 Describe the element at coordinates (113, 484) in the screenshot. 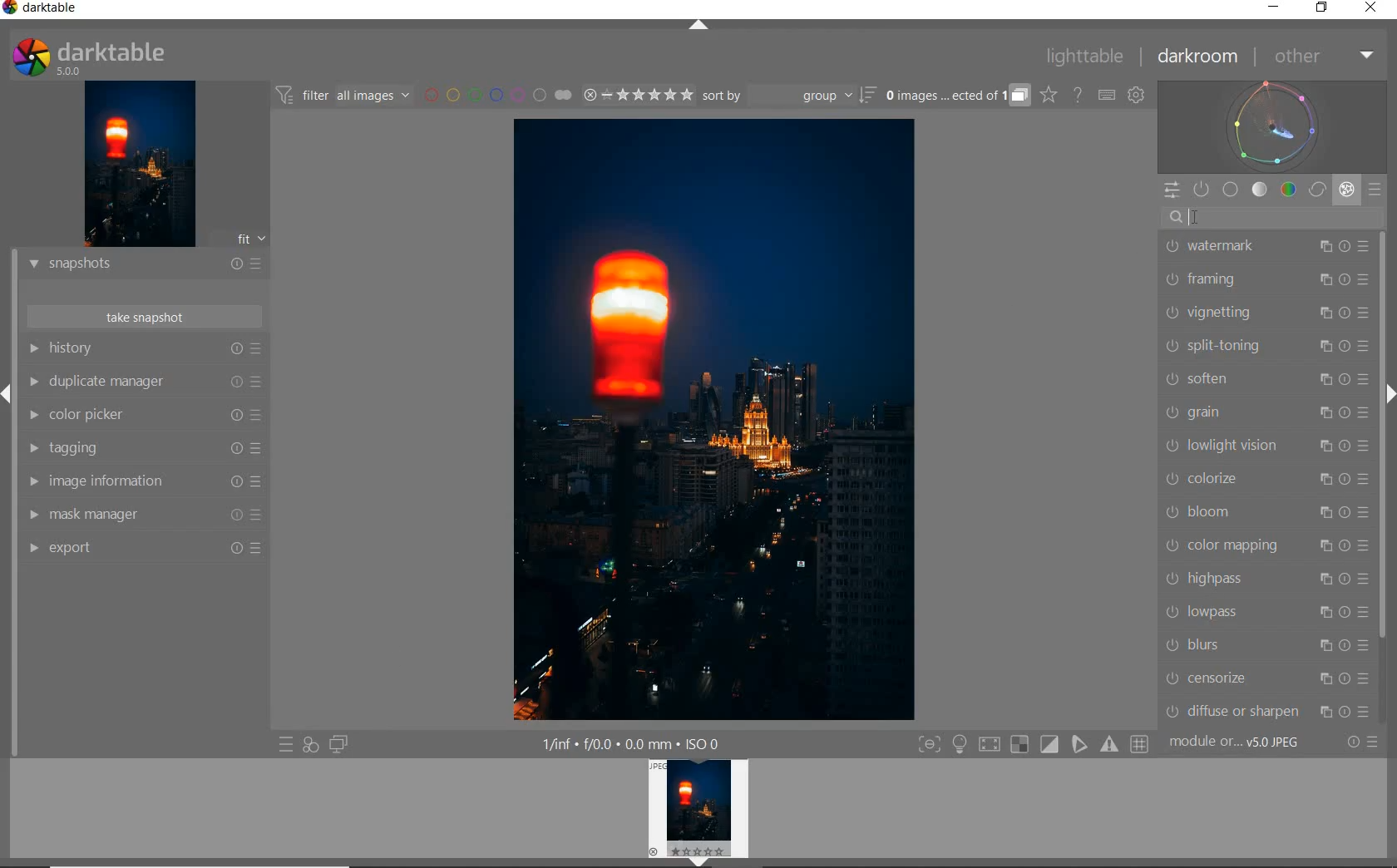

I see `IMAGE INFORMATION` at that location.